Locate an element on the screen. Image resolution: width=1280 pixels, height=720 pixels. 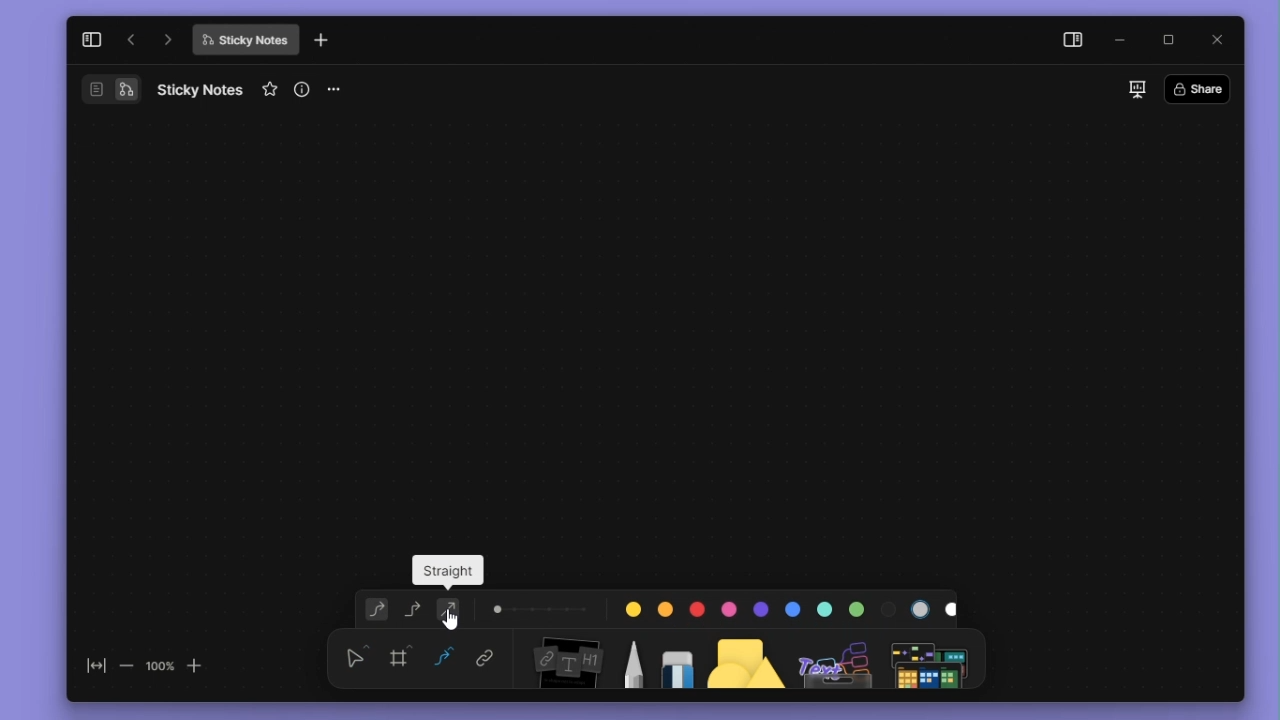
file name is located at coordinates (200, 89).